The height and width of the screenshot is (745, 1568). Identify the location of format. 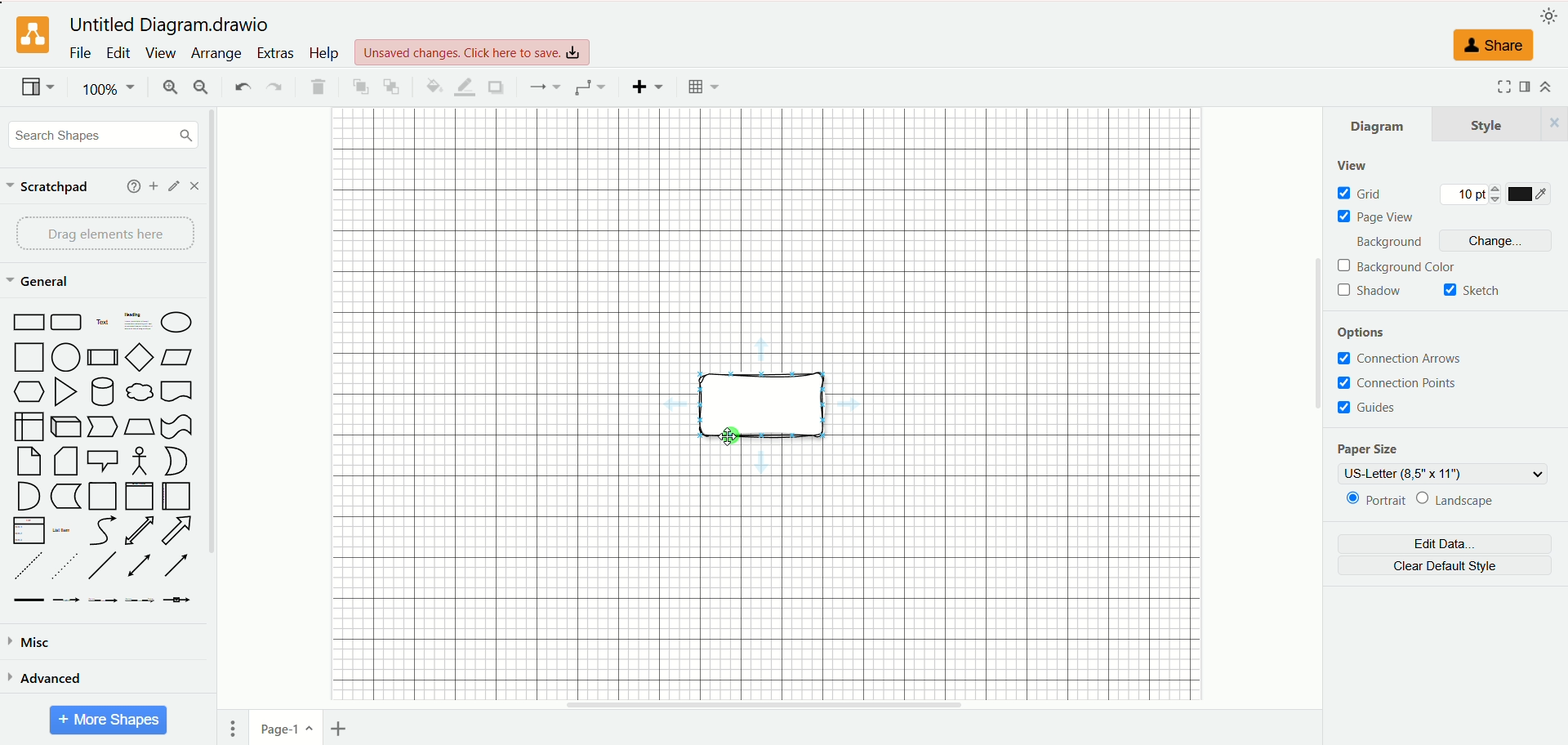
(1526, 85).